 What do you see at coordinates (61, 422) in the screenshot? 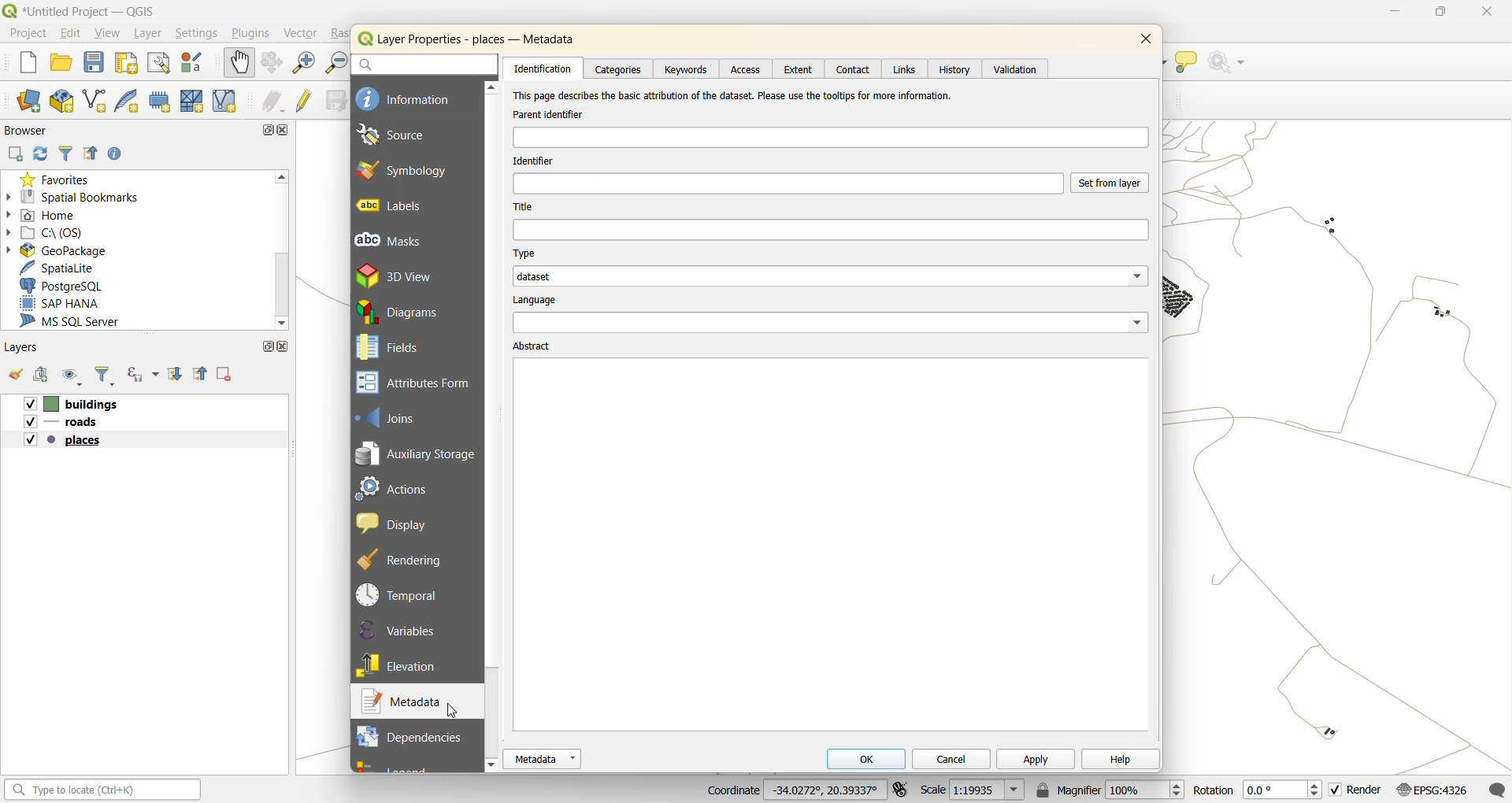
I see `layers` at bounding box center [61, 422].